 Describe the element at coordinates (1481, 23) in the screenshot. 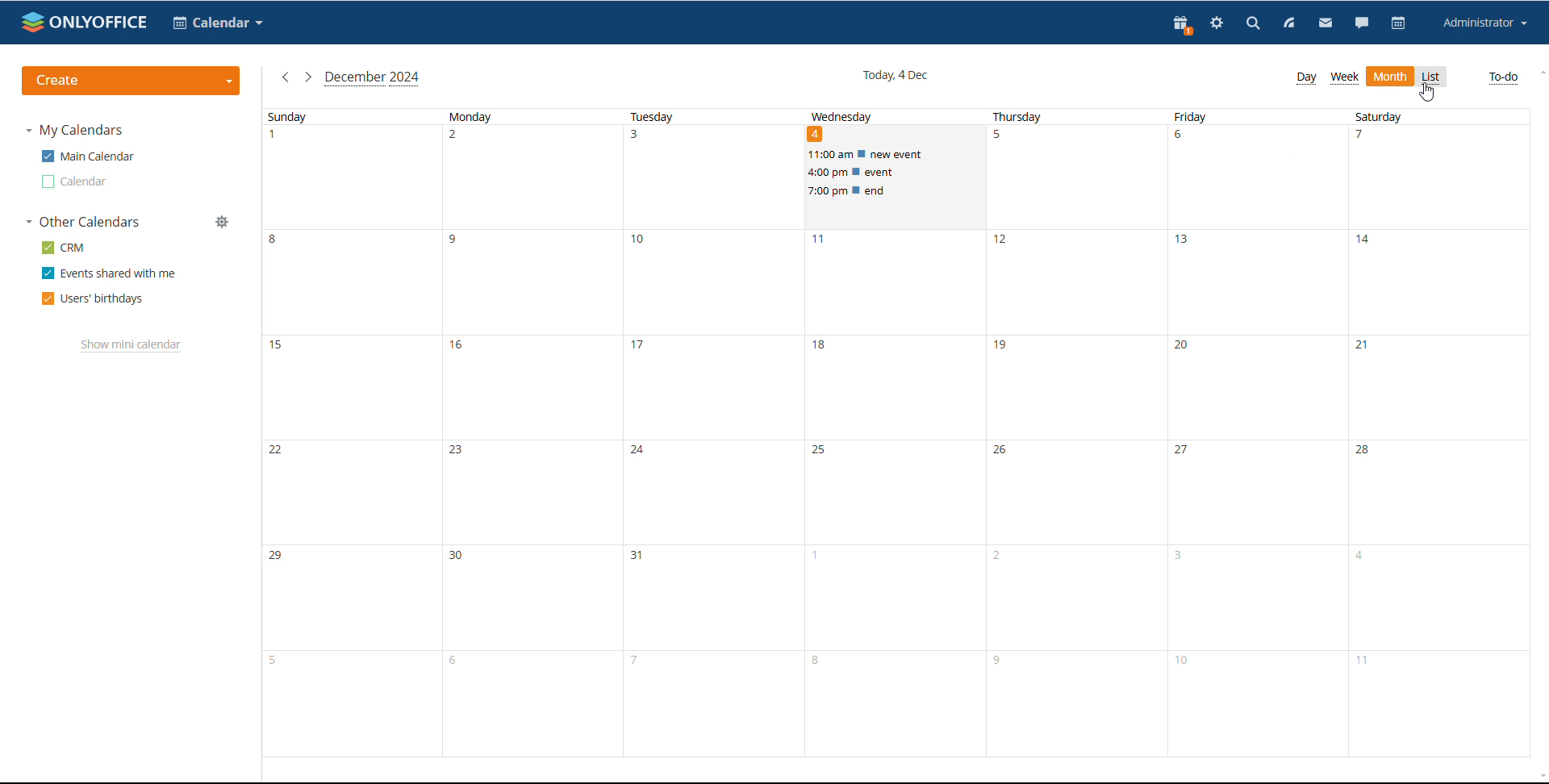

I see `account` at that location.